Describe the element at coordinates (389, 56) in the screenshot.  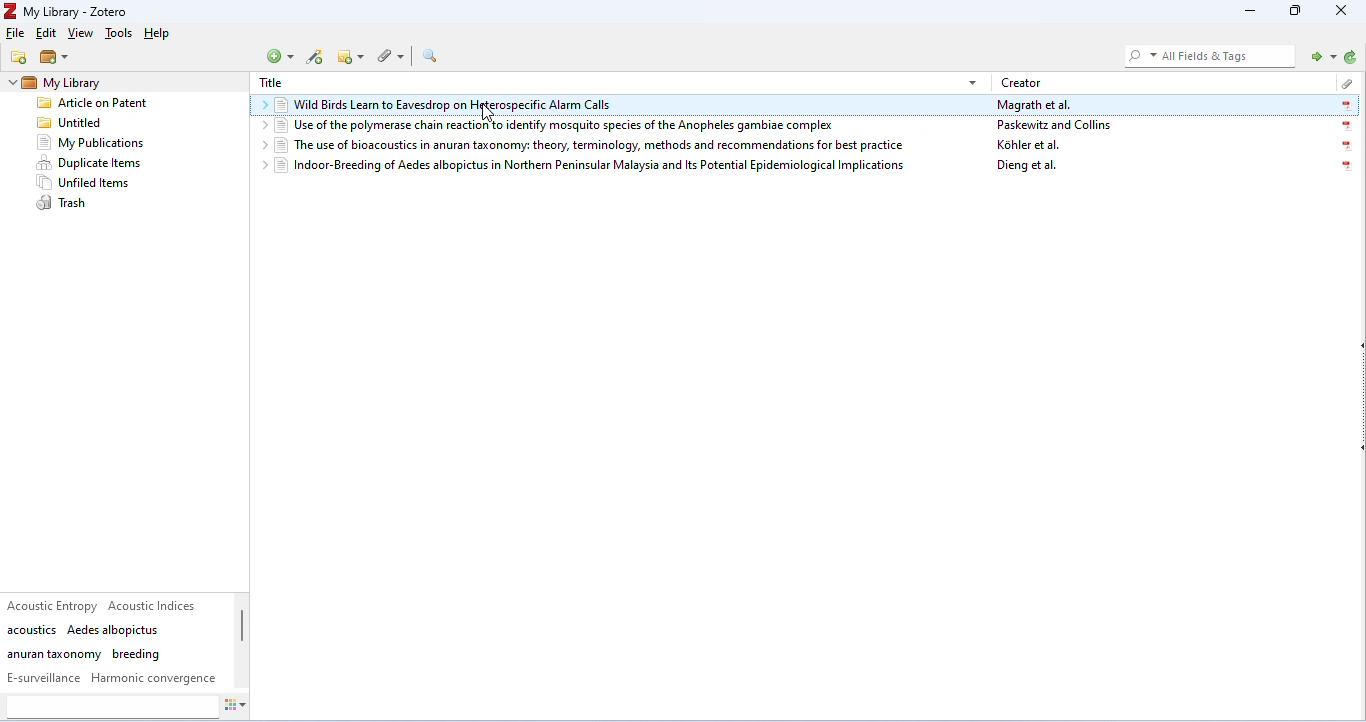
I see `attachment` at that location.